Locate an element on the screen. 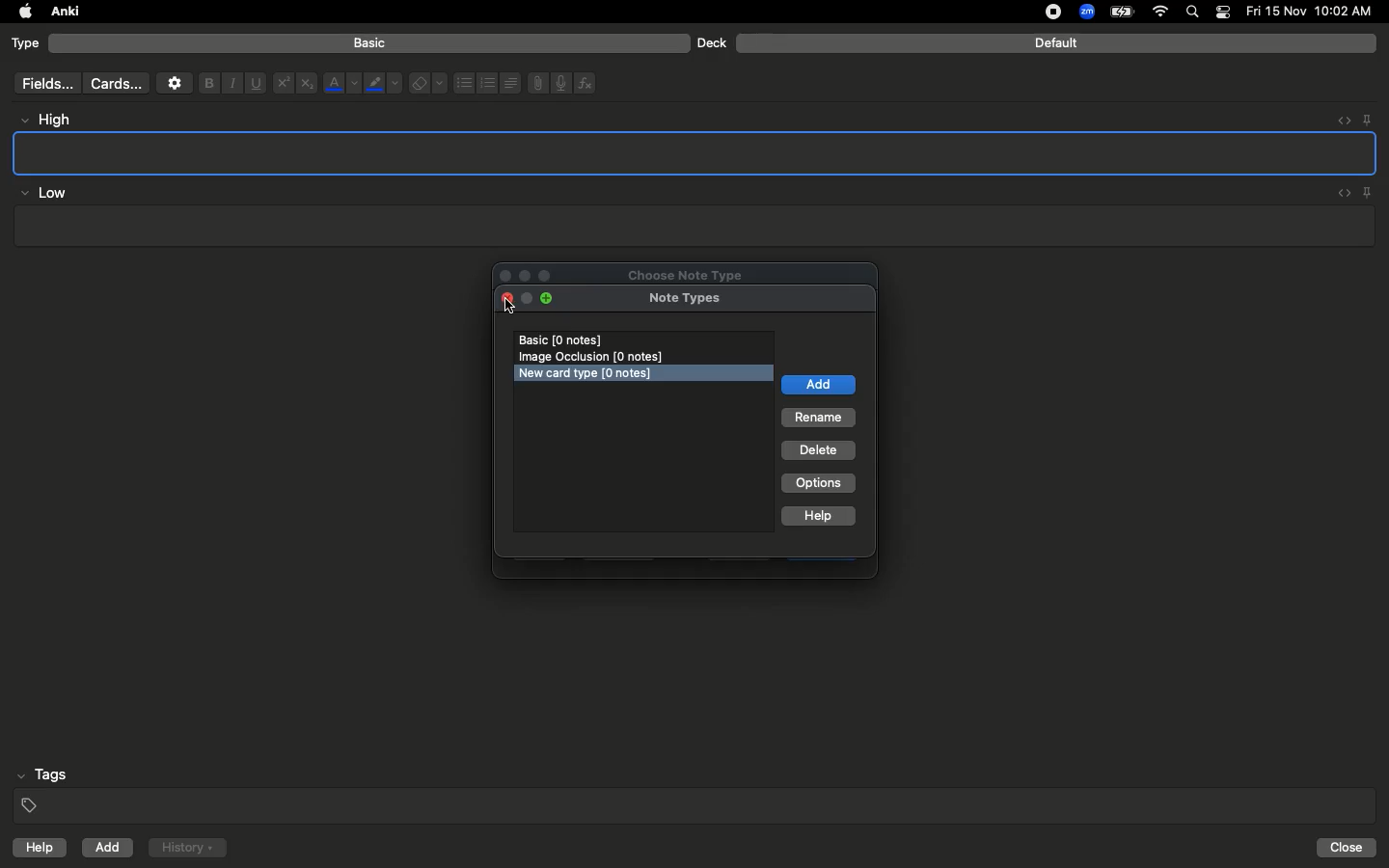 This screenshot has height=868, width=1389. Help is located at coordinates (820, 518).